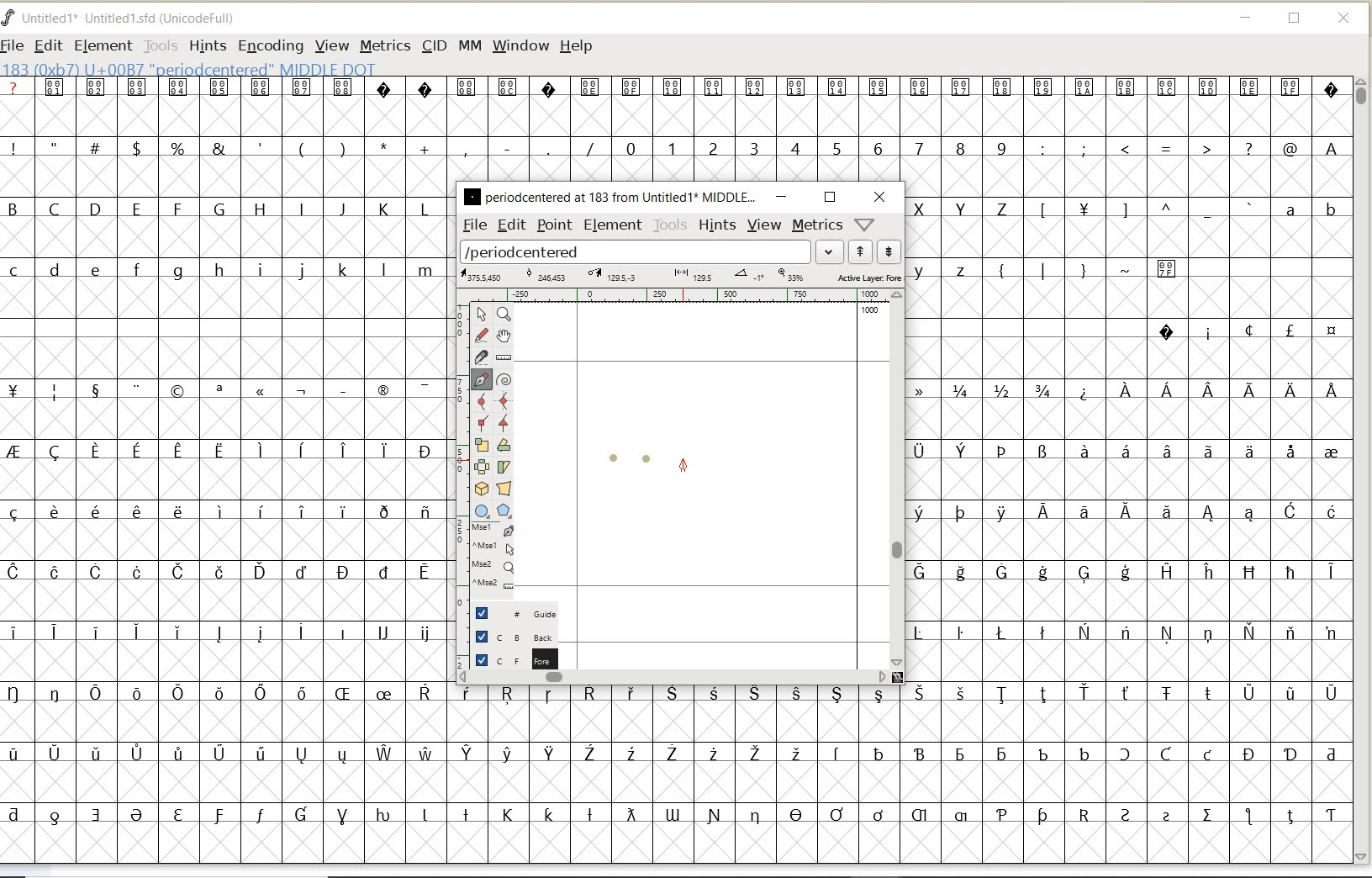 The image size is (1372, 878). What do you see at coordinates (870, 312) in the screenshot?
I see `1000` at bounding box center [870, 312].